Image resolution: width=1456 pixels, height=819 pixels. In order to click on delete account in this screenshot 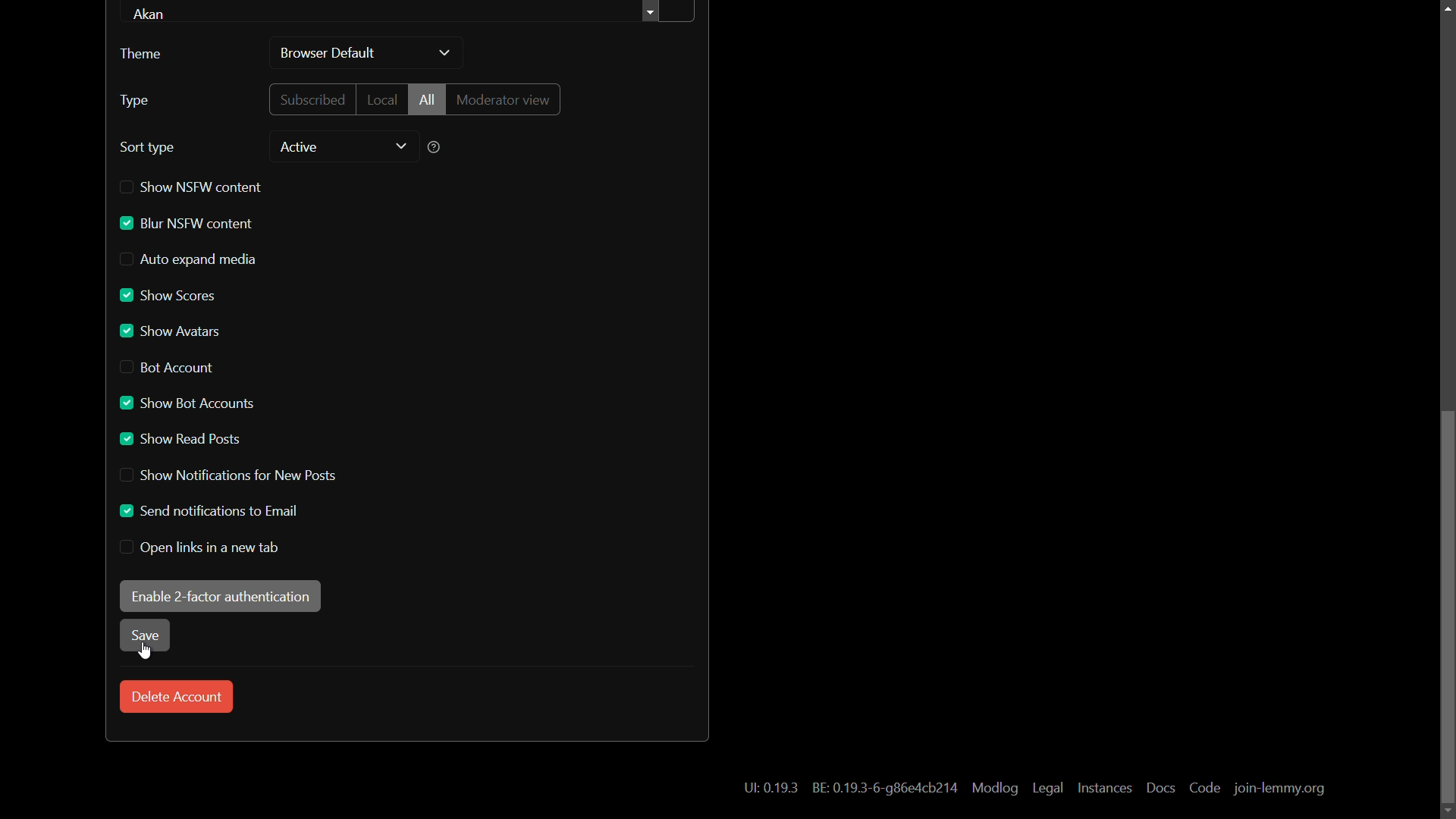, I will do `click(177, 697)`.